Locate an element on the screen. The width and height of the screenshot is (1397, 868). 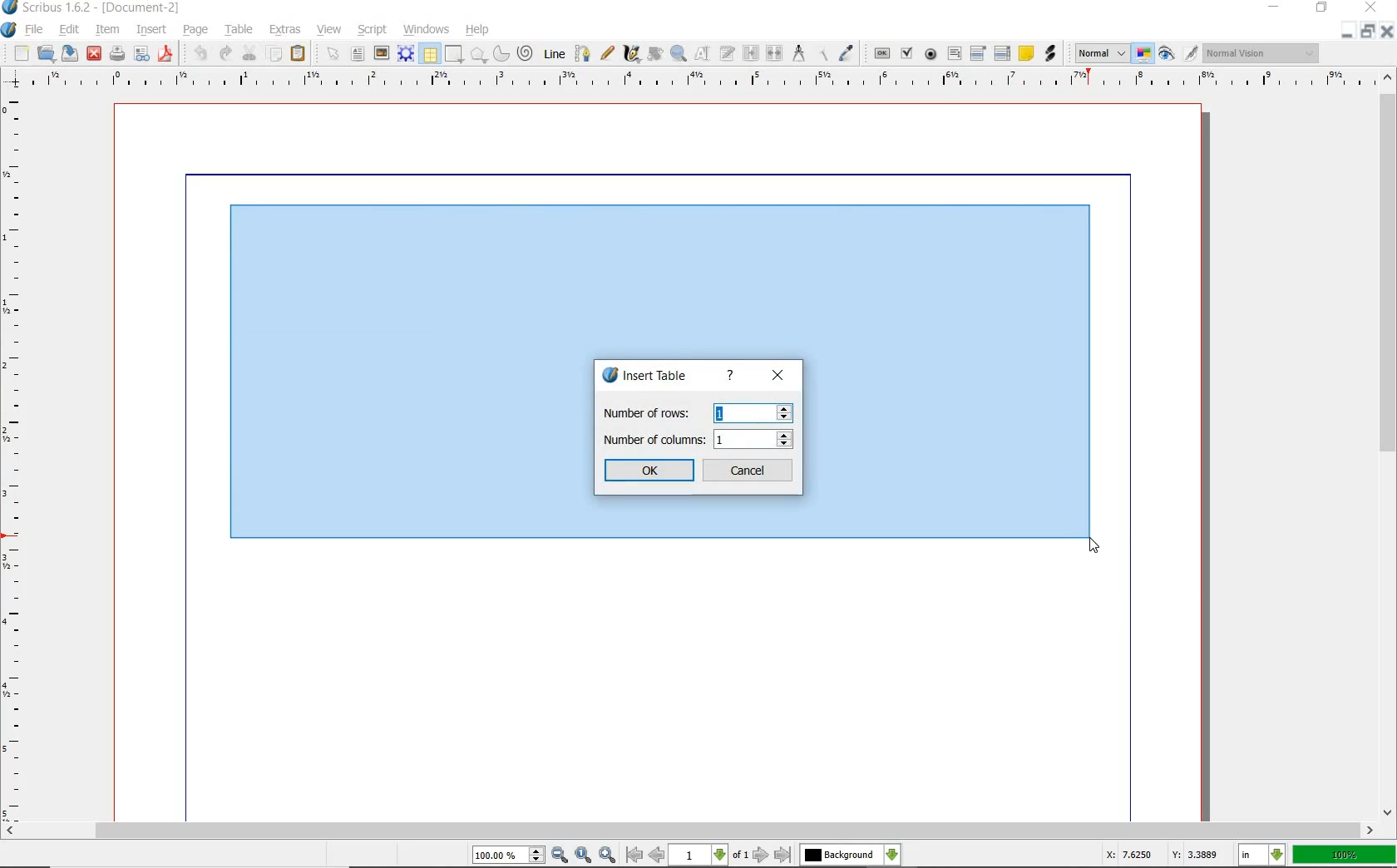
go to first page is located at coordinates (634, 856).